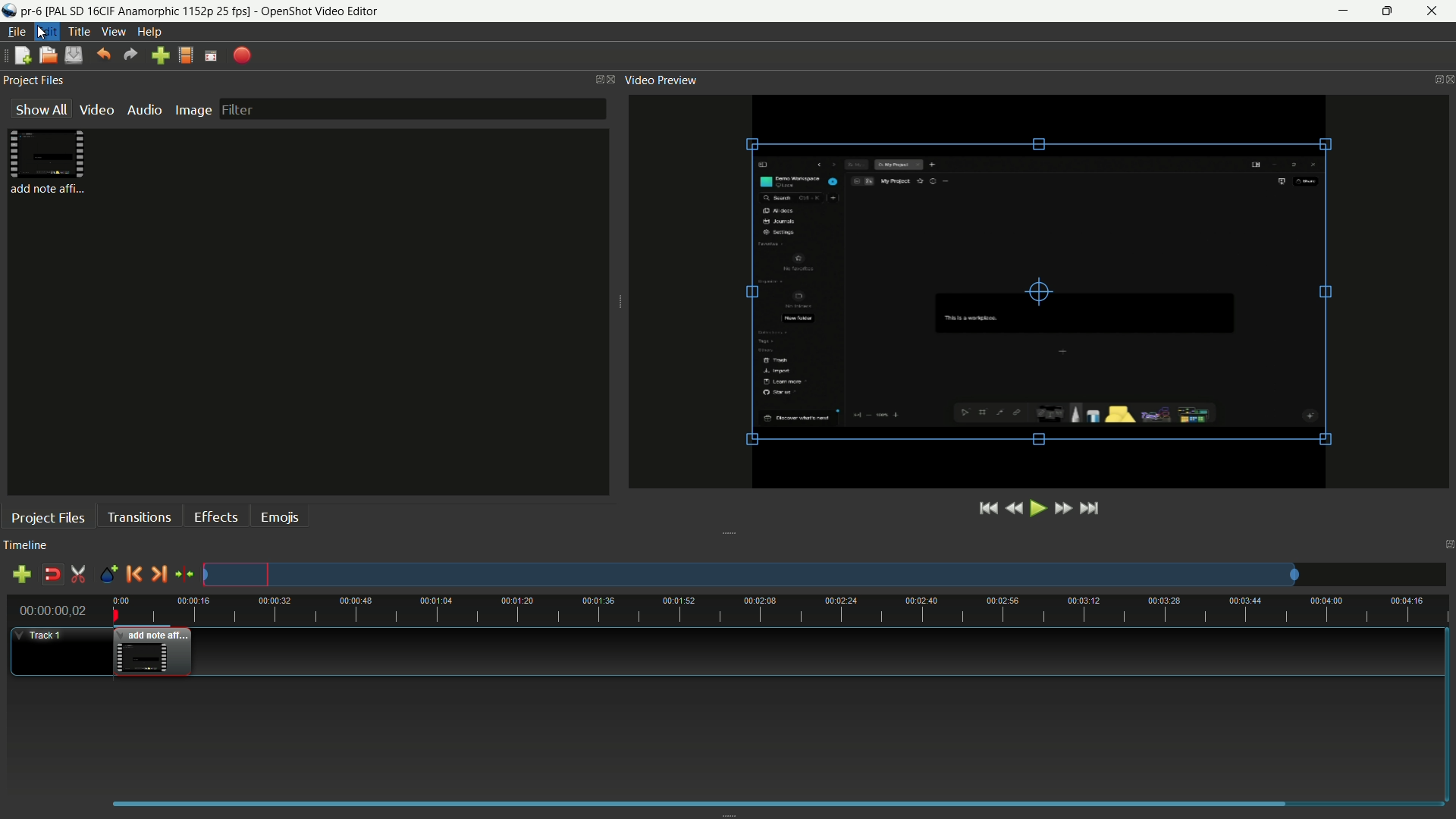 The image size is (1456, 819). Describe the element at coordinates (48, 55) in the screenshot. I see `open file` at that location.